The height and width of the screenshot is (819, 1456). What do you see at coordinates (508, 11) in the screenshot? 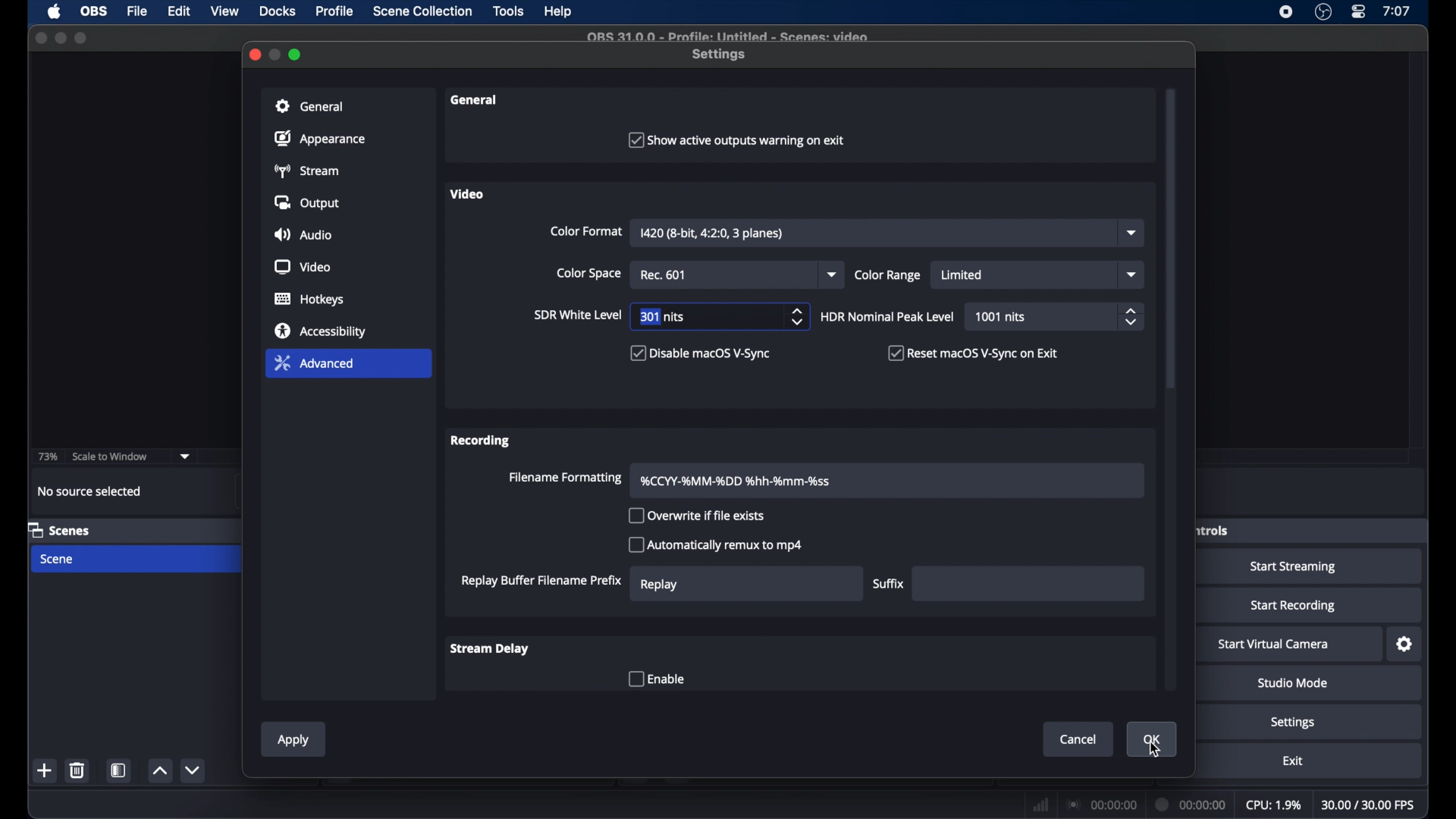
I see `tools` at bounding box center [508, 11].